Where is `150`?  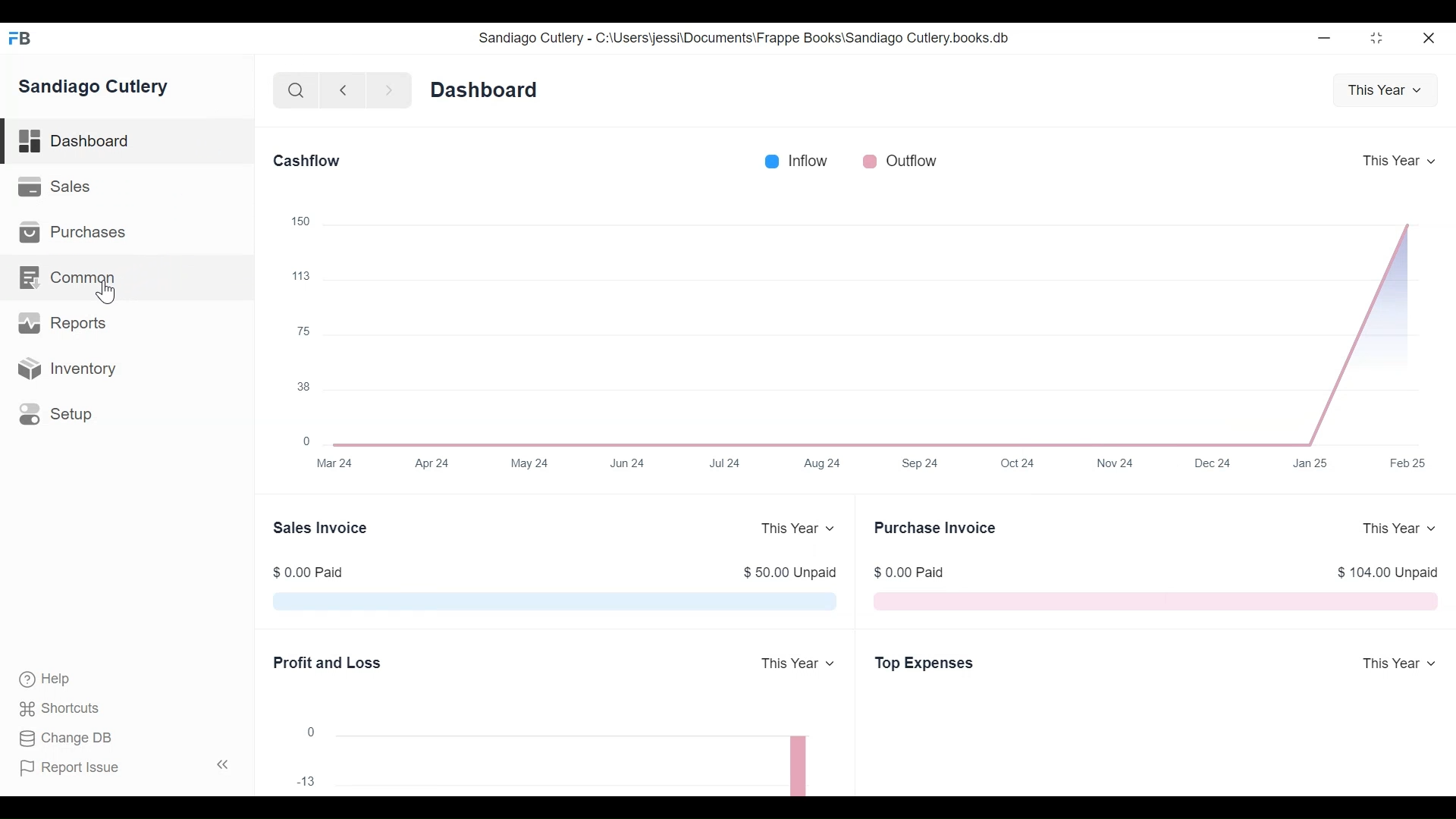
150 is located at coordinates (300, 221).